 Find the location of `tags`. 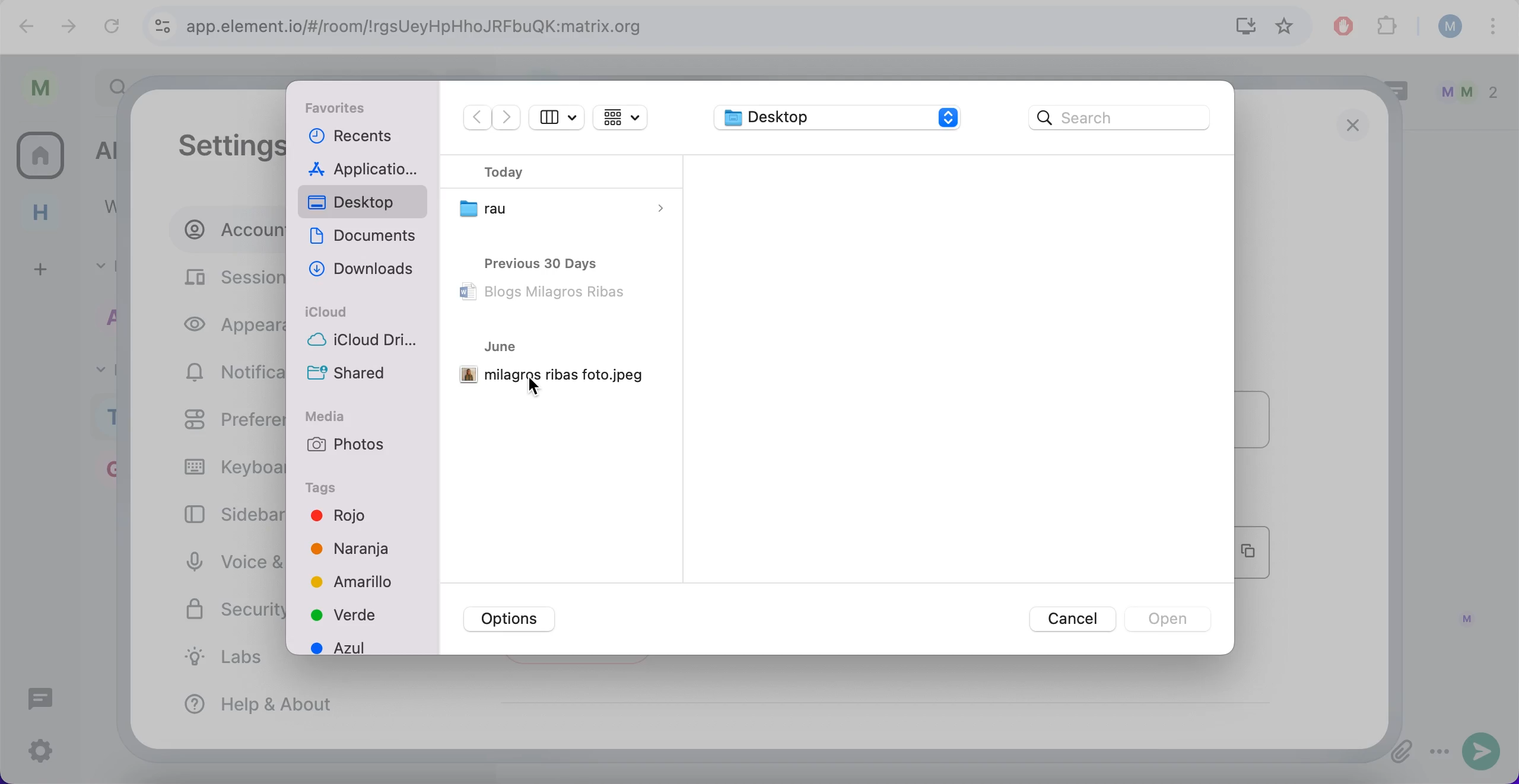

tags is located at coordinates (325, 489).